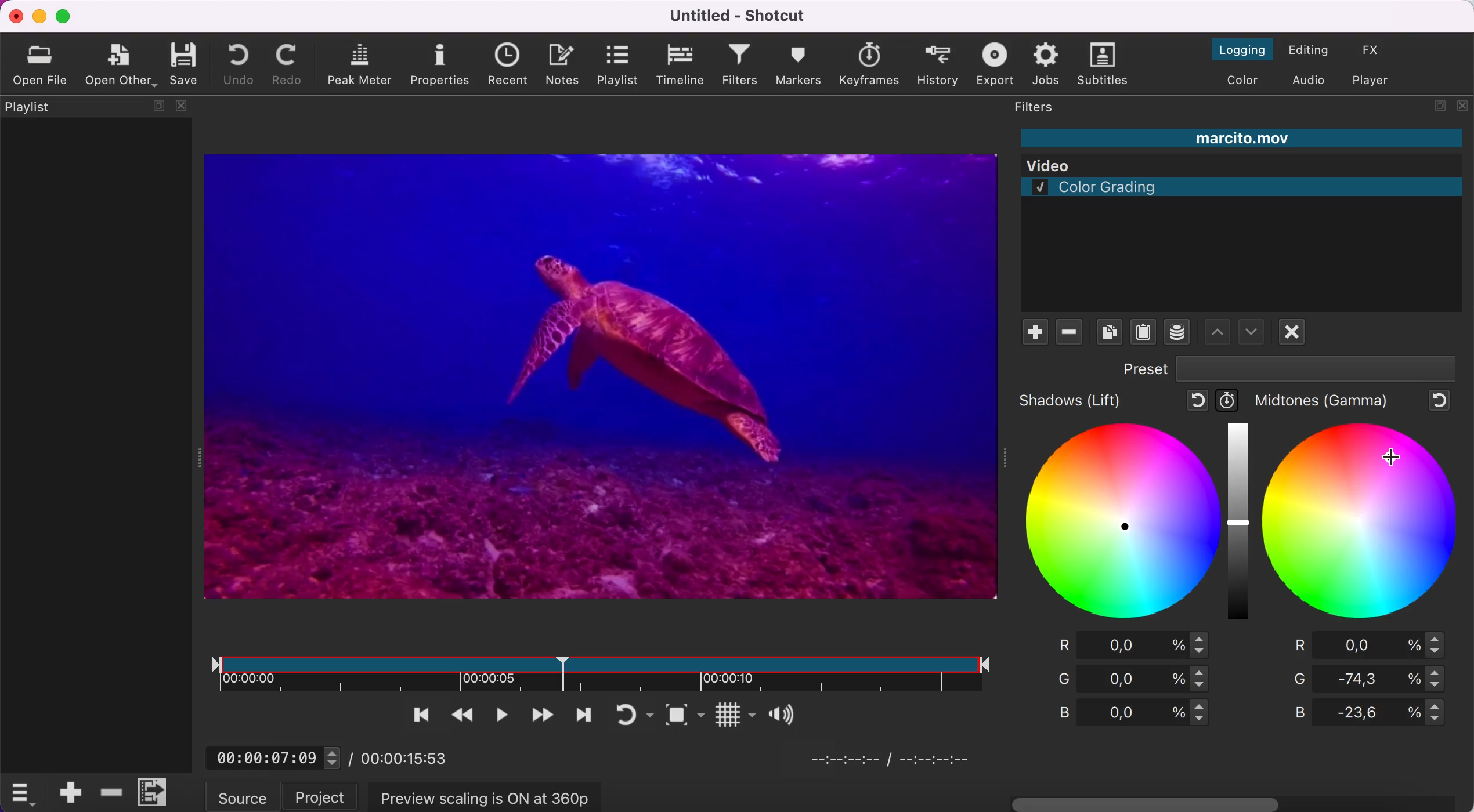  What do you see at coordinates (1179, 333) in the screenshot?
I see `save a filter set` at bounding box center [1179, 333].